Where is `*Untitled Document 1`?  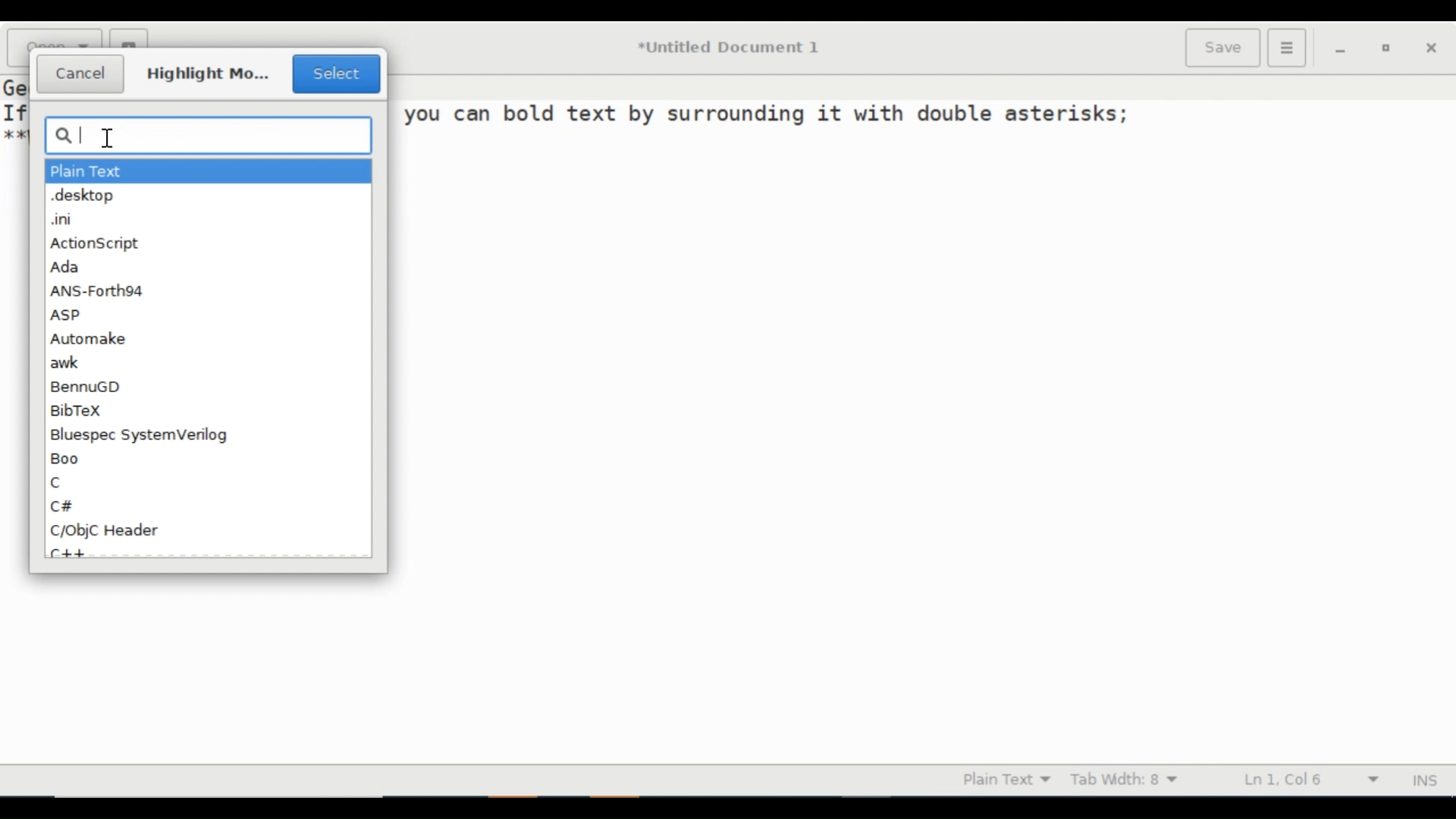
*Untitled Document 1 is located at coordinates (730, 47).